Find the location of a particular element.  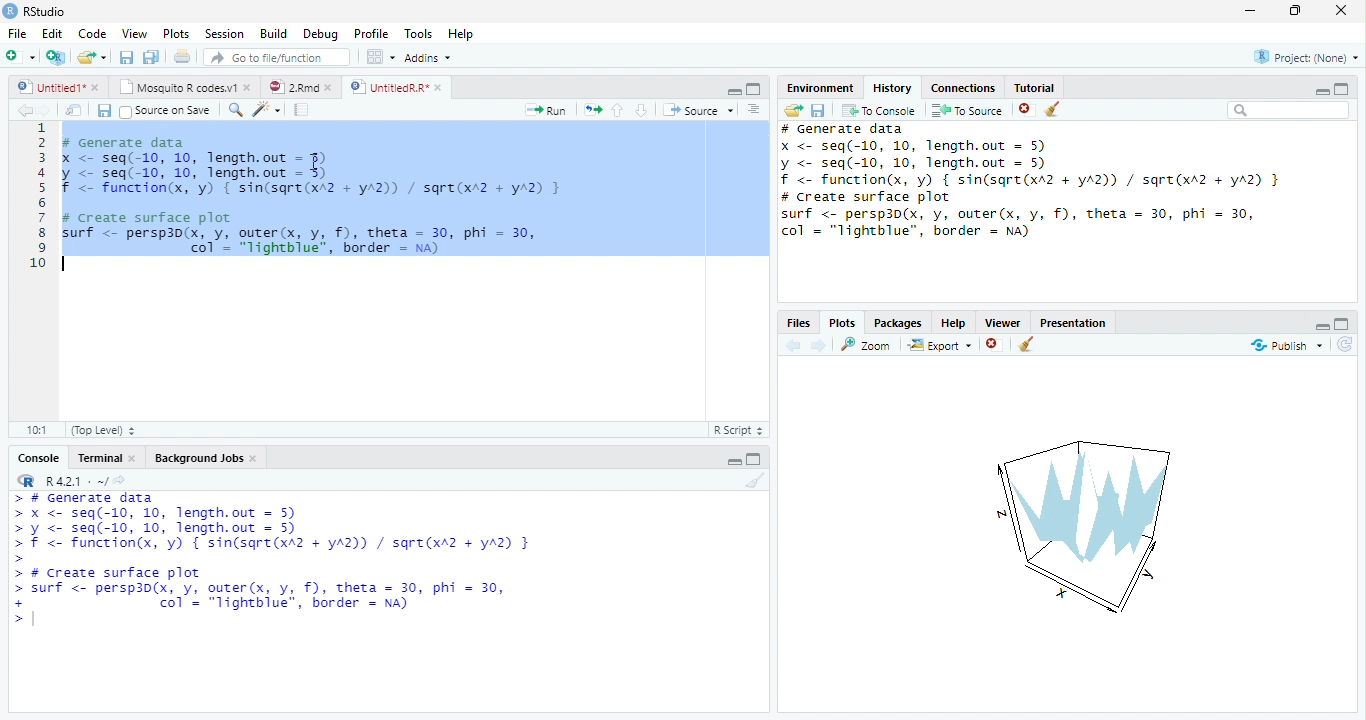

Go to next section/chunk is located at coordinates (641, 109).